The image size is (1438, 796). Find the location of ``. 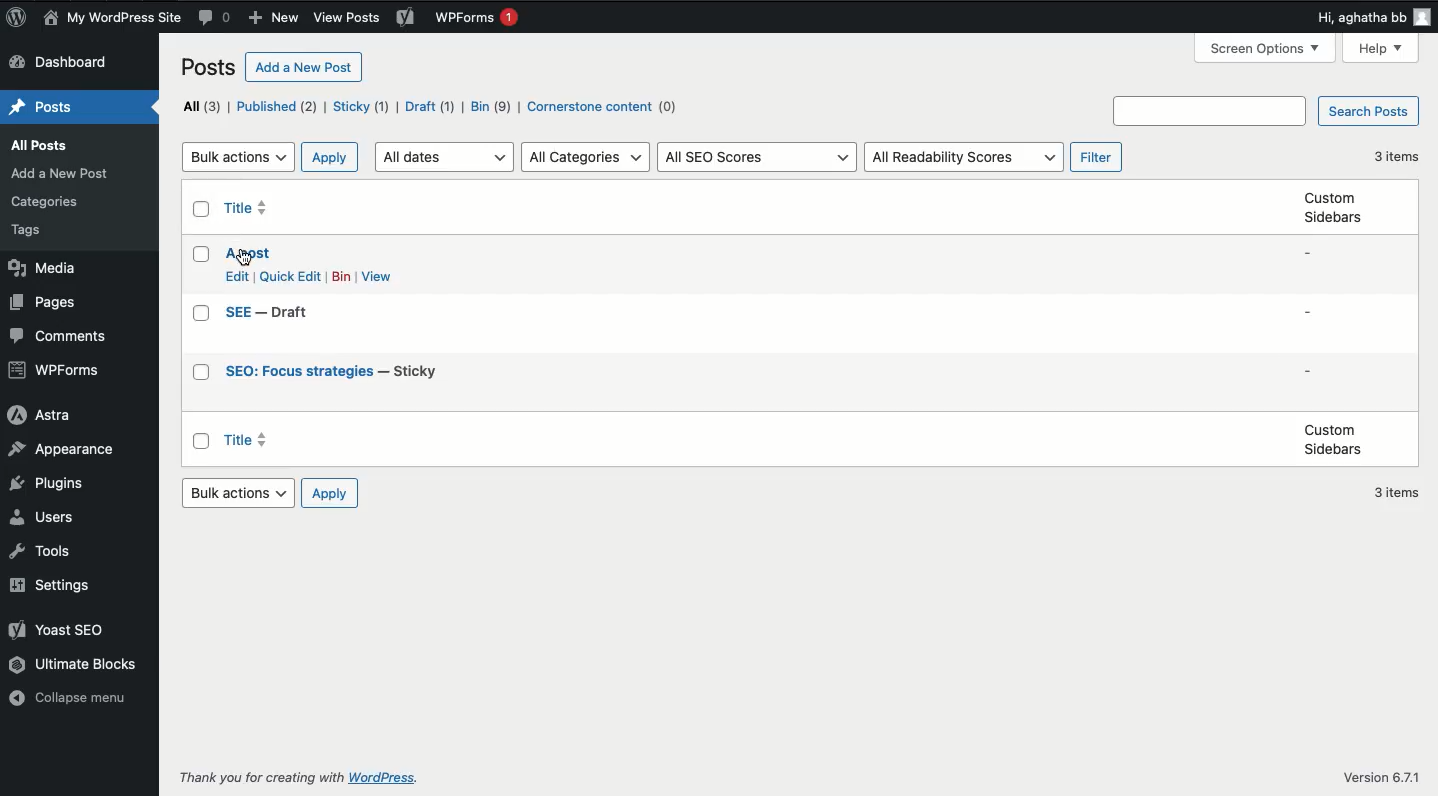

 is located at coordinates (43, 143).